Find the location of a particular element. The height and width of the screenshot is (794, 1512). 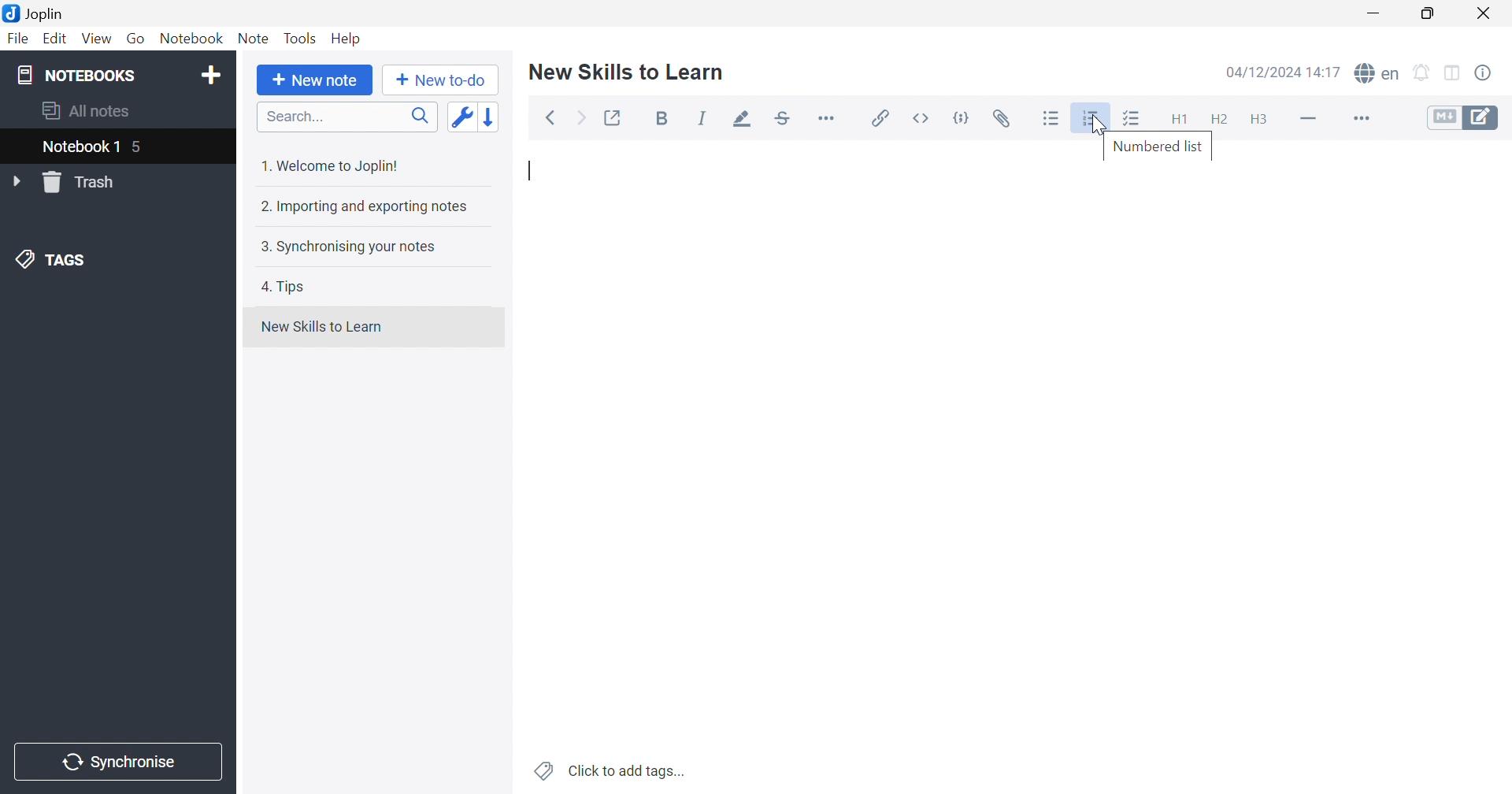

New note is located at coordinates (315, 80).